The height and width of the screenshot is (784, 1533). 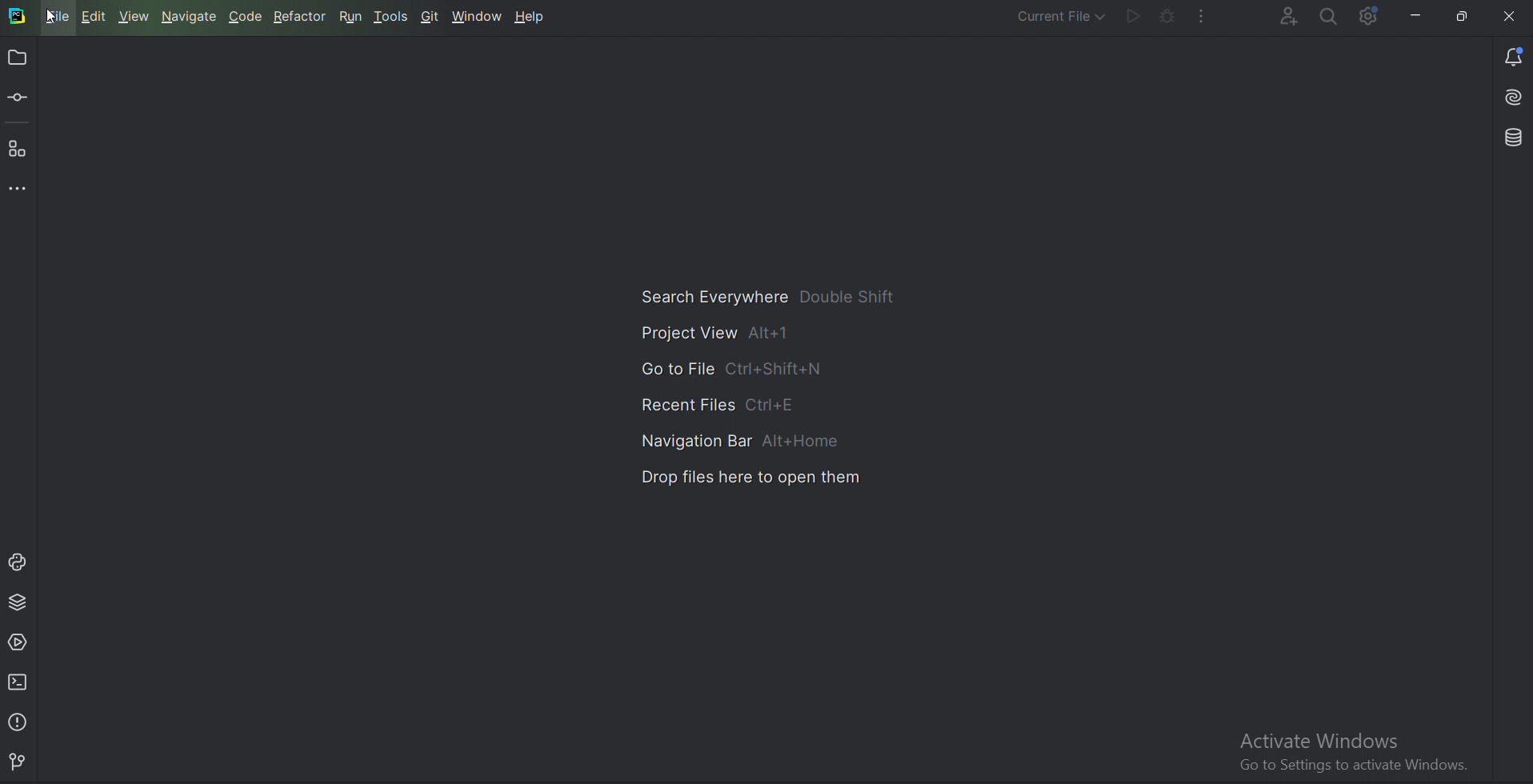 I want to click on Drop files here to open them, so click(x=755, y=477).